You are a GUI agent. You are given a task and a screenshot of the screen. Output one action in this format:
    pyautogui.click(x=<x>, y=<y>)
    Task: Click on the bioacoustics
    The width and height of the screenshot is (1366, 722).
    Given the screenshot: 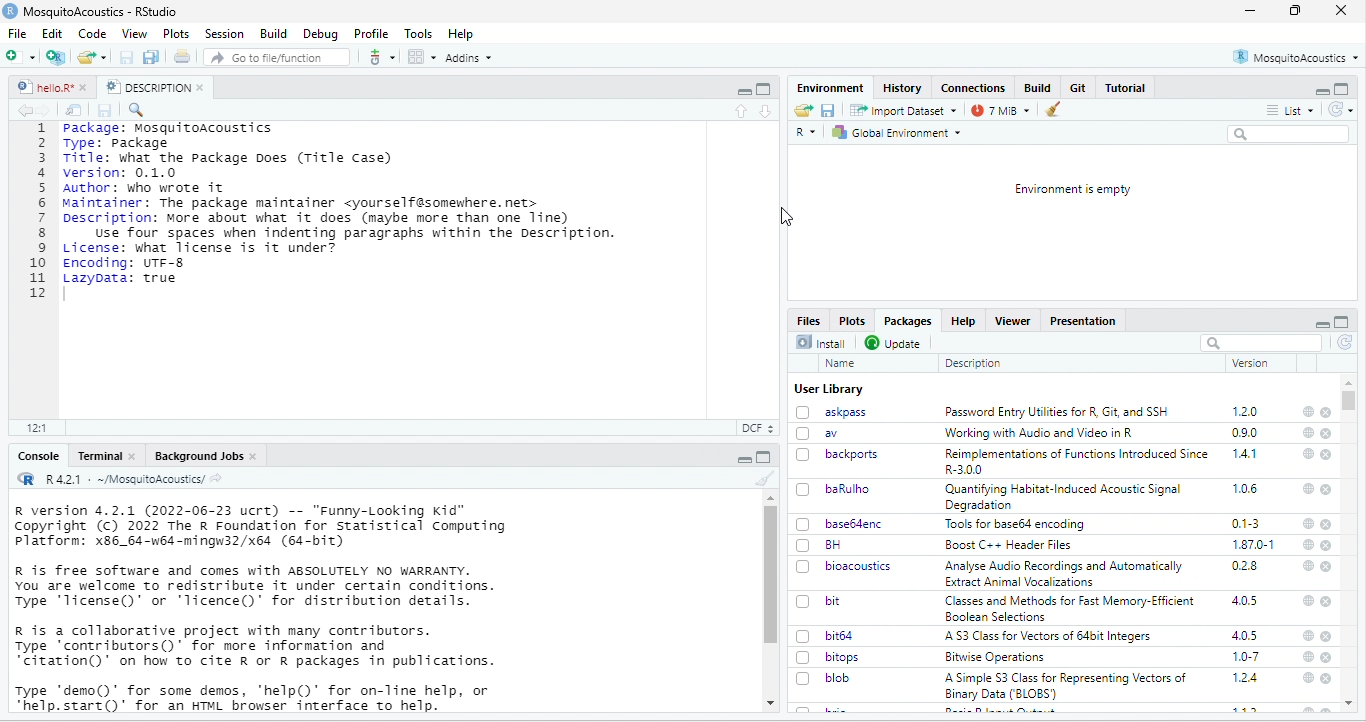 What is the action you would take?
    pyautogui.click(x=845, y=567)
    